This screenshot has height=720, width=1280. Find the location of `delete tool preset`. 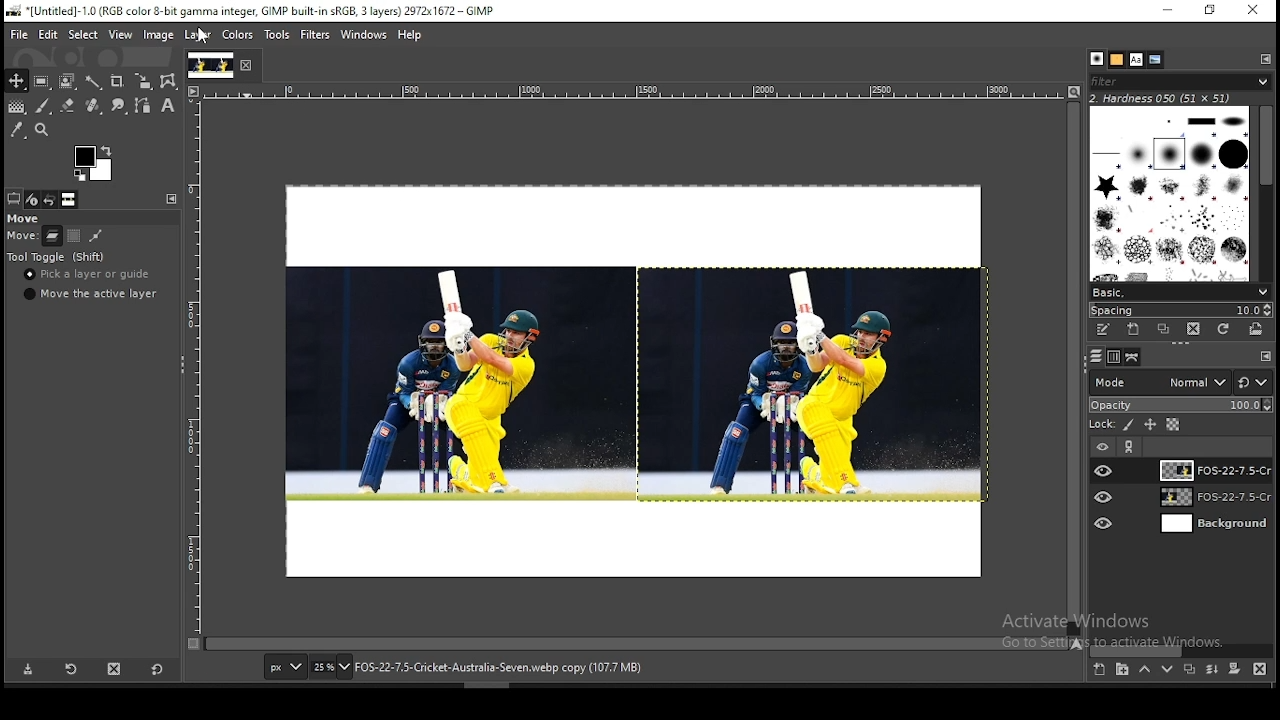

delete tool preset is located at coordinates (116, 668).